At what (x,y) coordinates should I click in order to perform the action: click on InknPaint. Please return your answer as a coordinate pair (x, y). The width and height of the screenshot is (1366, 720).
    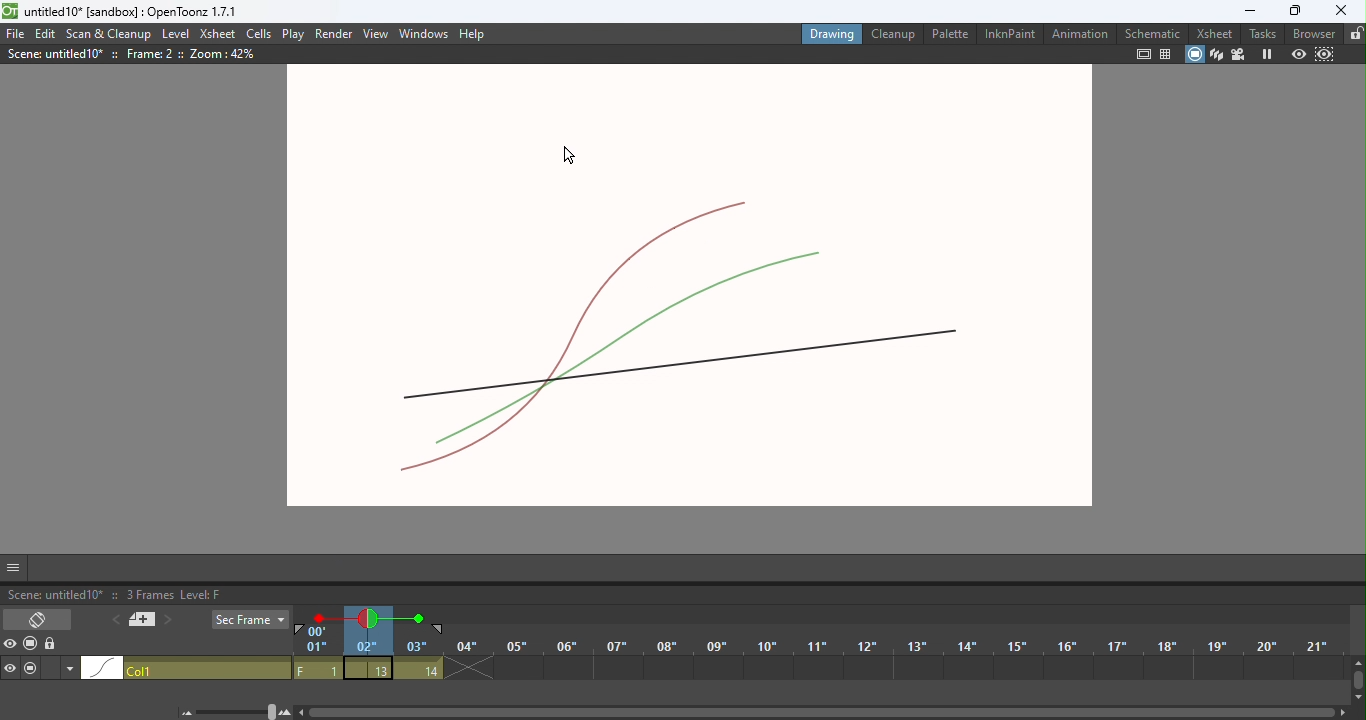
    Looking at the image, I should click on (1006, 32).